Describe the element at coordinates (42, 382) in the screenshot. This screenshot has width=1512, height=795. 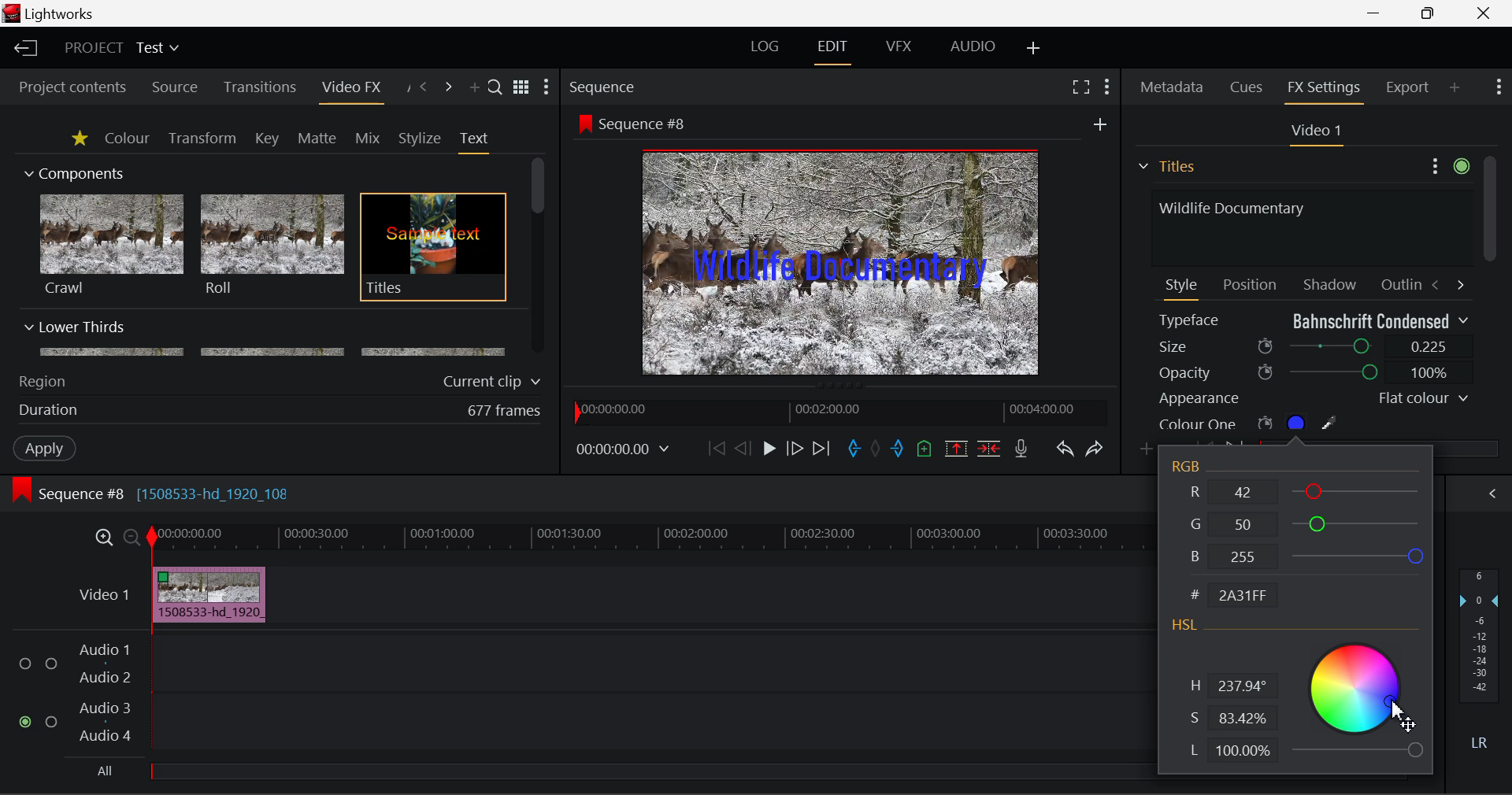
I see `Region` at that location.